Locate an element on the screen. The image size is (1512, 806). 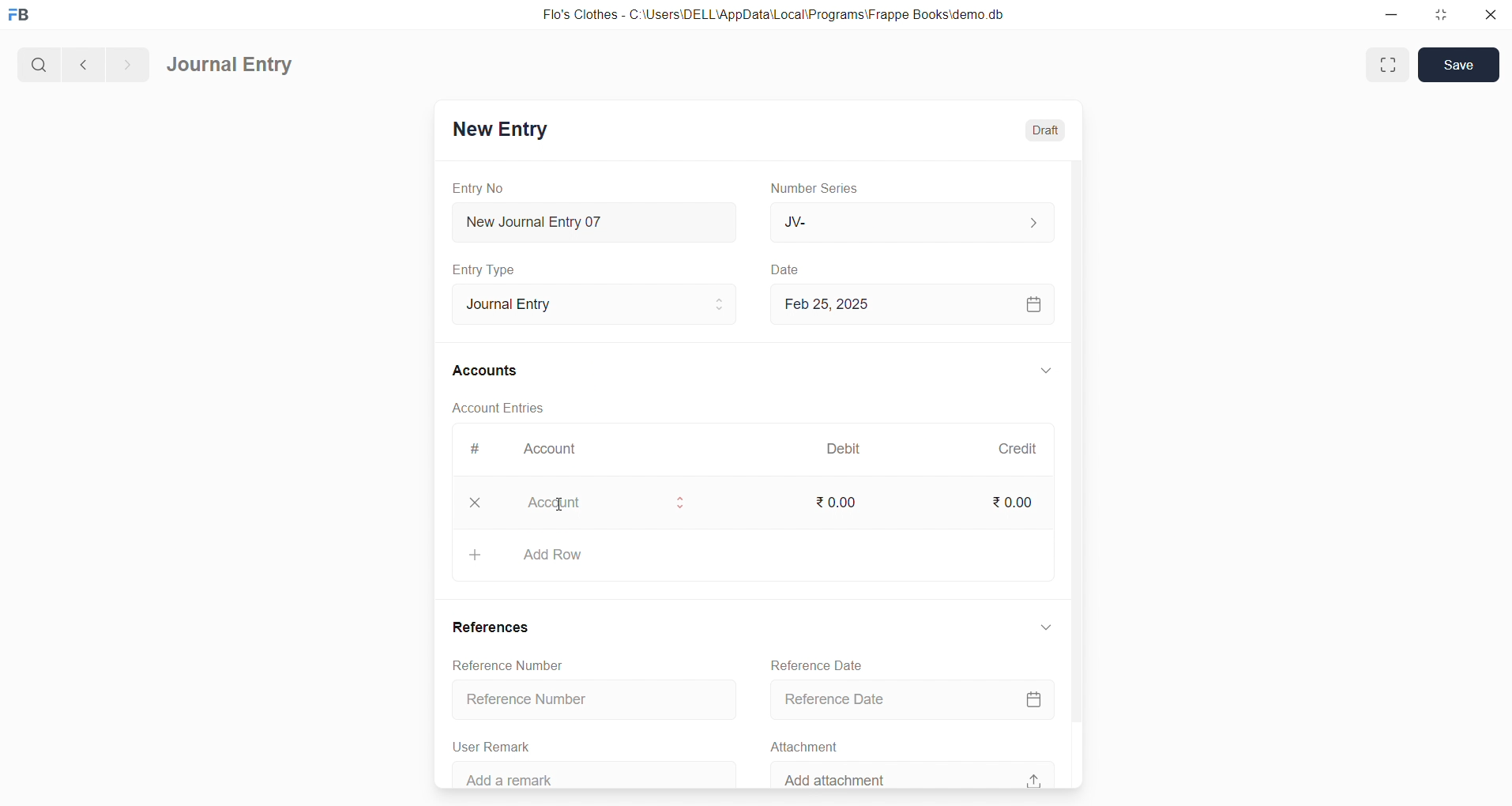
Journal Entry is located at coordinates (231, 66).